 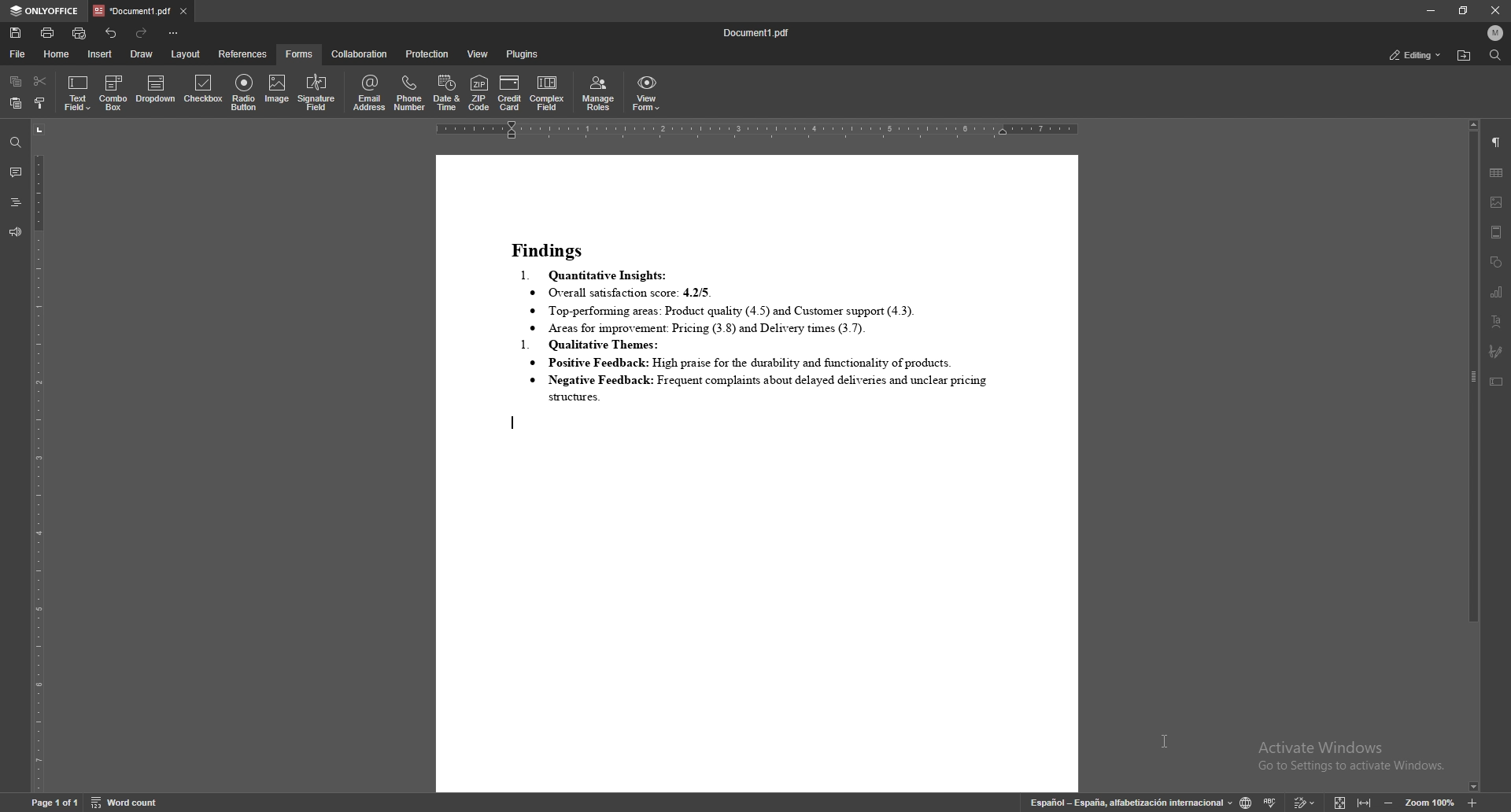 I want to click on date and time, so click(x=448, y=93).